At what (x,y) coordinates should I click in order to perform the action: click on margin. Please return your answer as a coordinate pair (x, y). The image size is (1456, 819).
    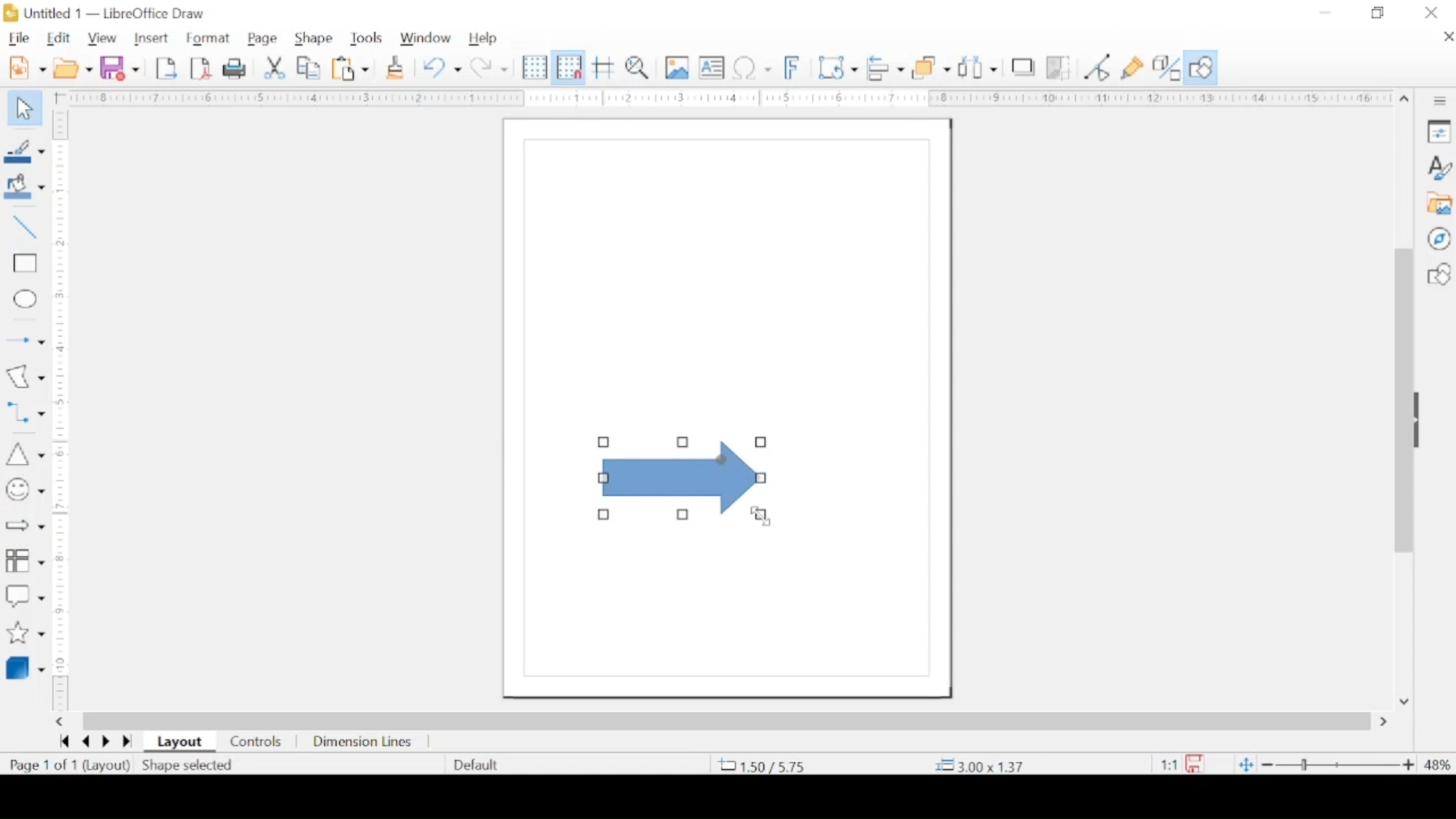
    Looking at the image, I should click on (61, 638).